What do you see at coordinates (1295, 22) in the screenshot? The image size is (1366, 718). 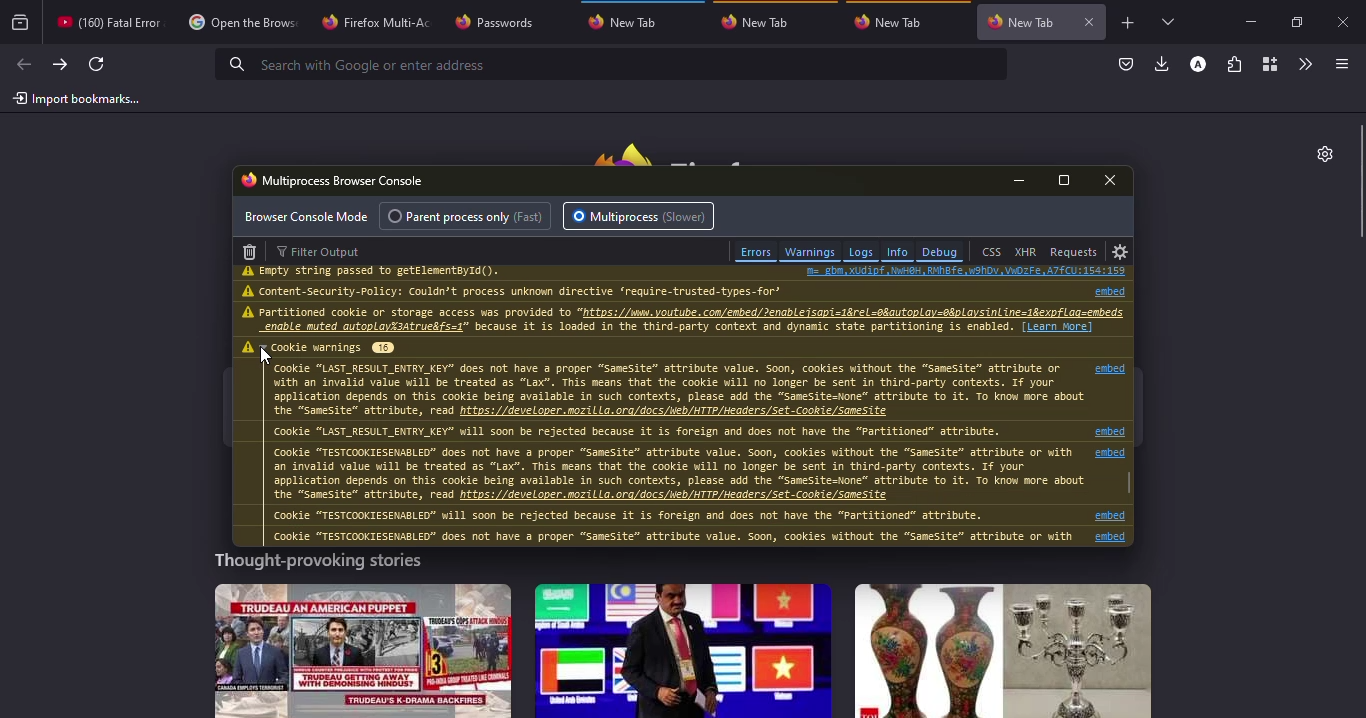 I see `maximize` at bounding box center [1295, 22].